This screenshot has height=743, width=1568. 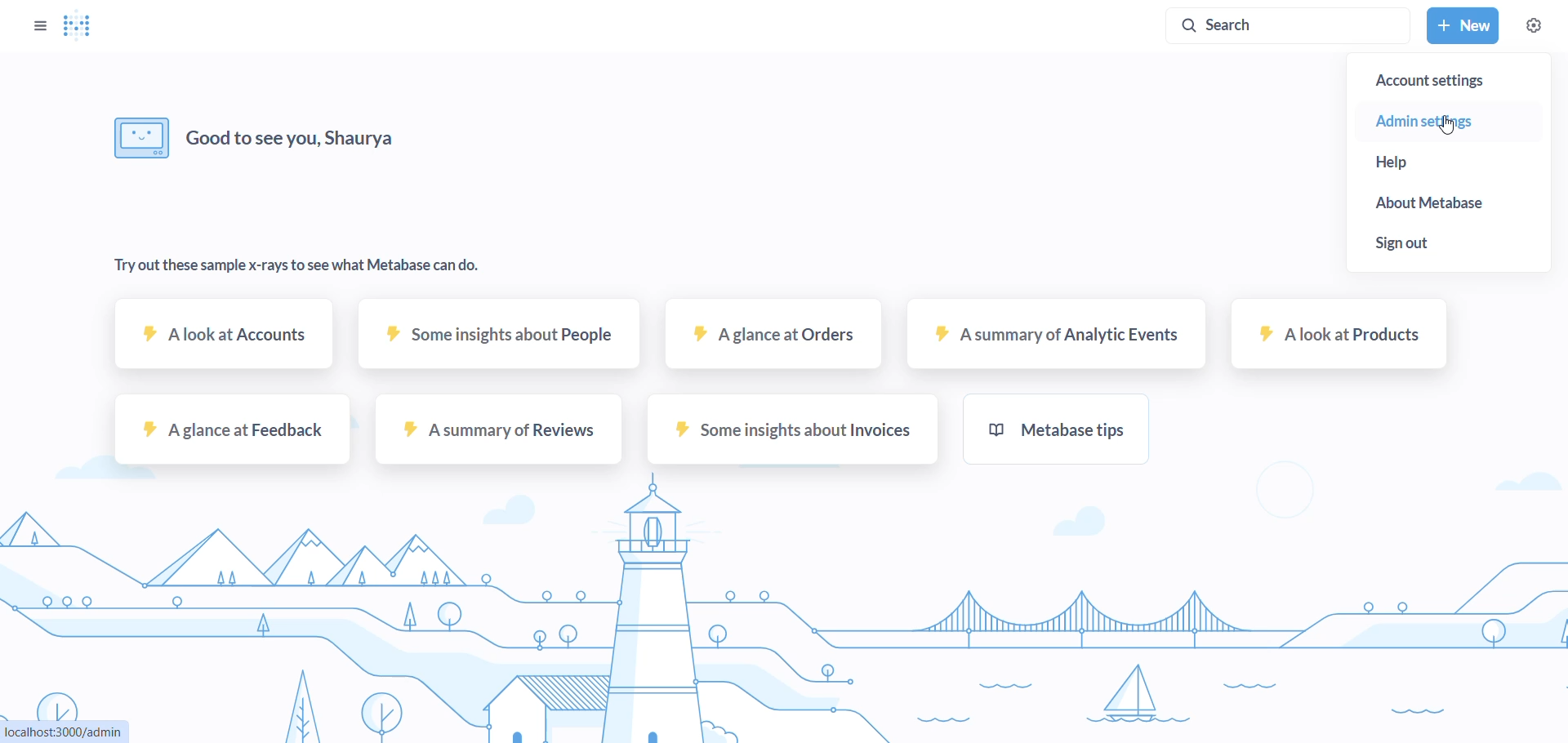 I want to click on about metabase, so click(x=1444, y=207).